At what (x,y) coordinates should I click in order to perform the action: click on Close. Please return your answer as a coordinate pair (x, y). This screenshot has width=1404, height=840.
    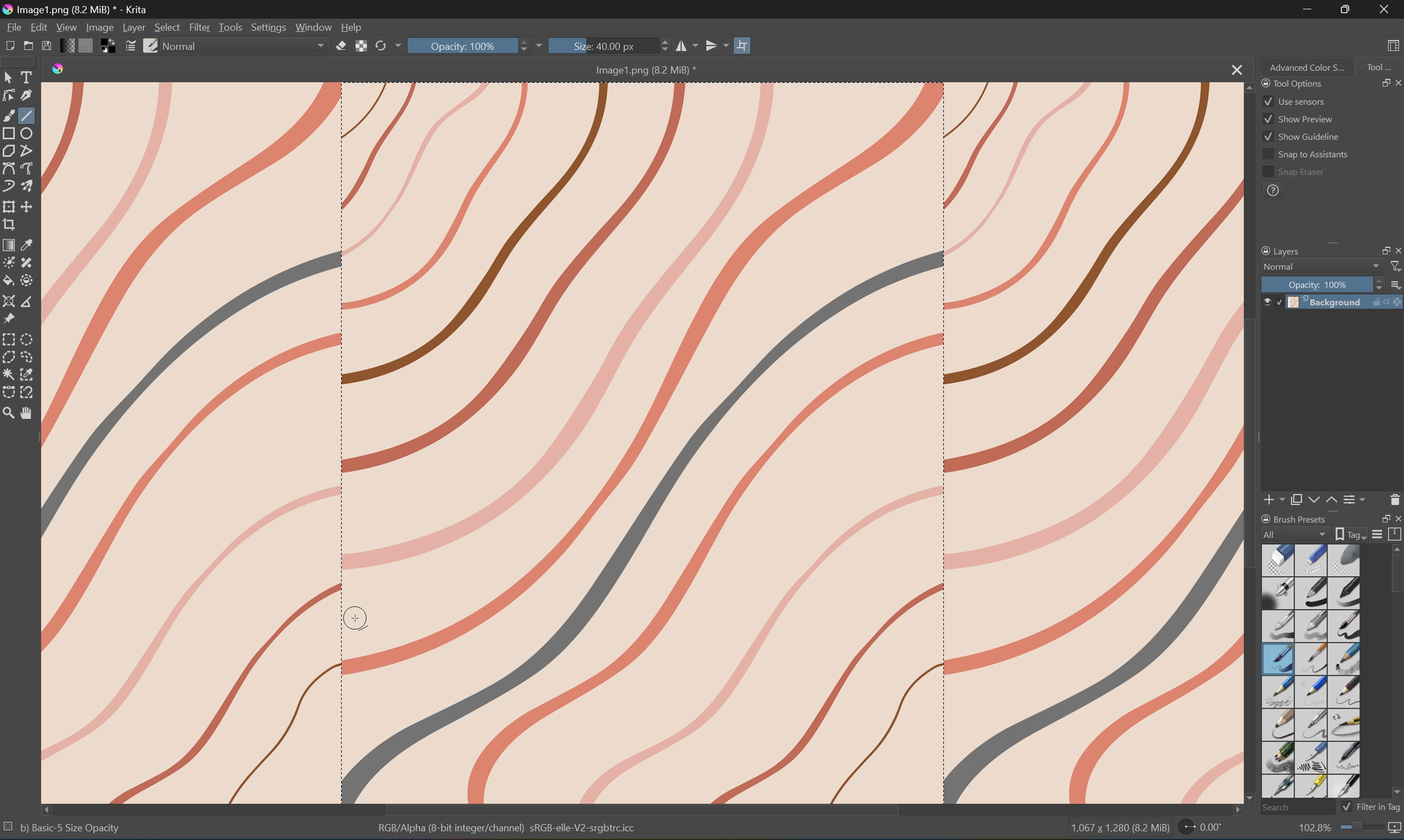
    Looking at the image, I should click on (1396, 250).